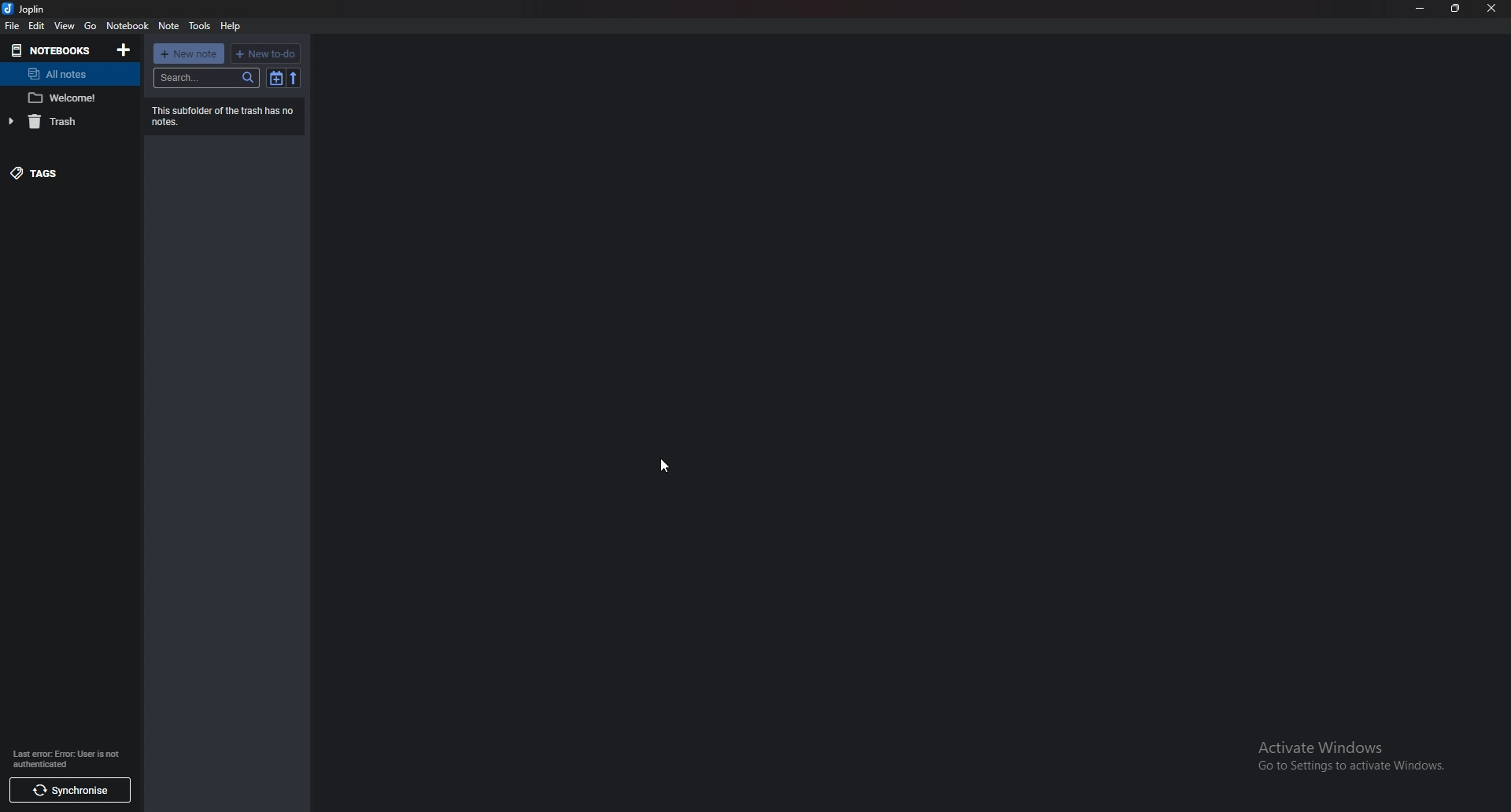  I want to click on view, so click(65, 26).